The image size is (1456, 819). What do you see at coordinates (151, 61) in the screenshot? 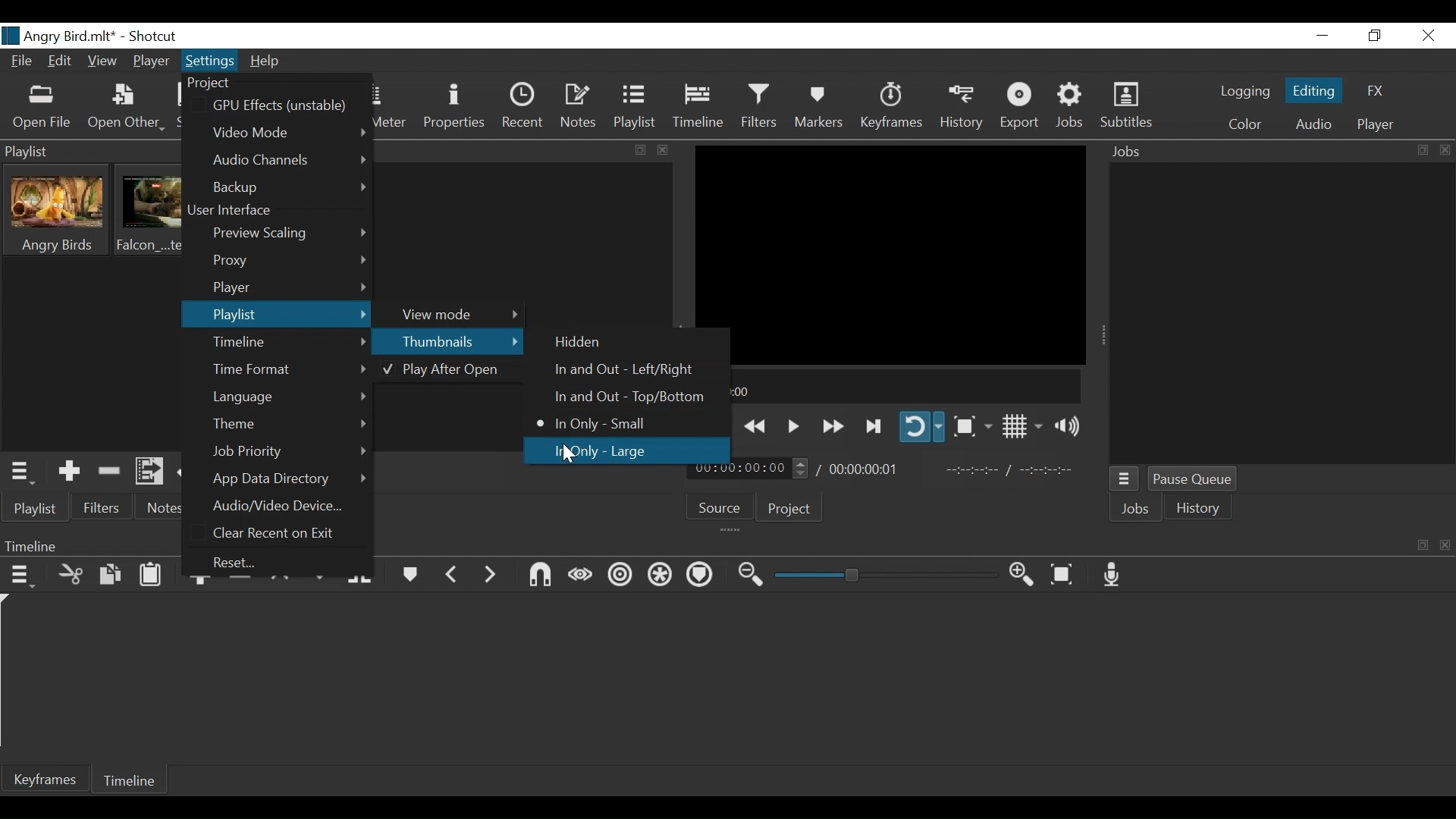
I see `Player` at bounding box center [151, 61].